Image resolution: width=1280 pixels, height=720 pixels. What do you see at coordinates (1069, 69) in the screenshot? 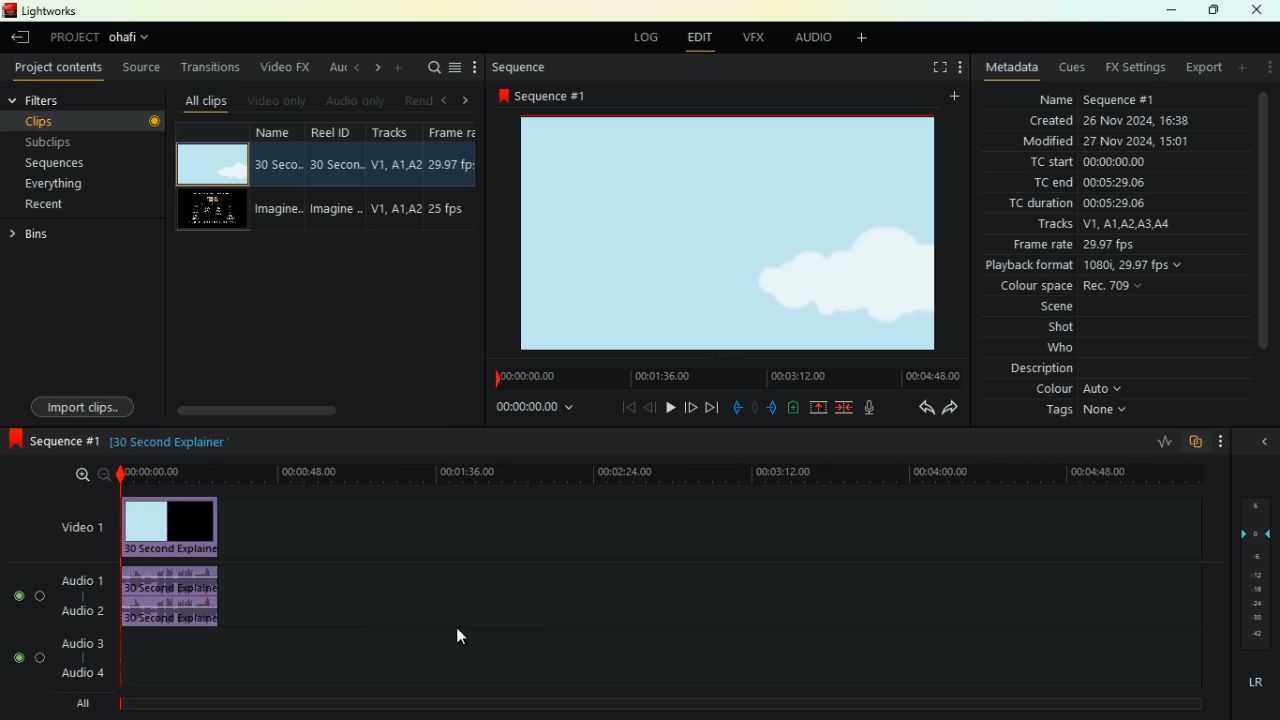
I see `cues` at bounding box center [1069, 69].